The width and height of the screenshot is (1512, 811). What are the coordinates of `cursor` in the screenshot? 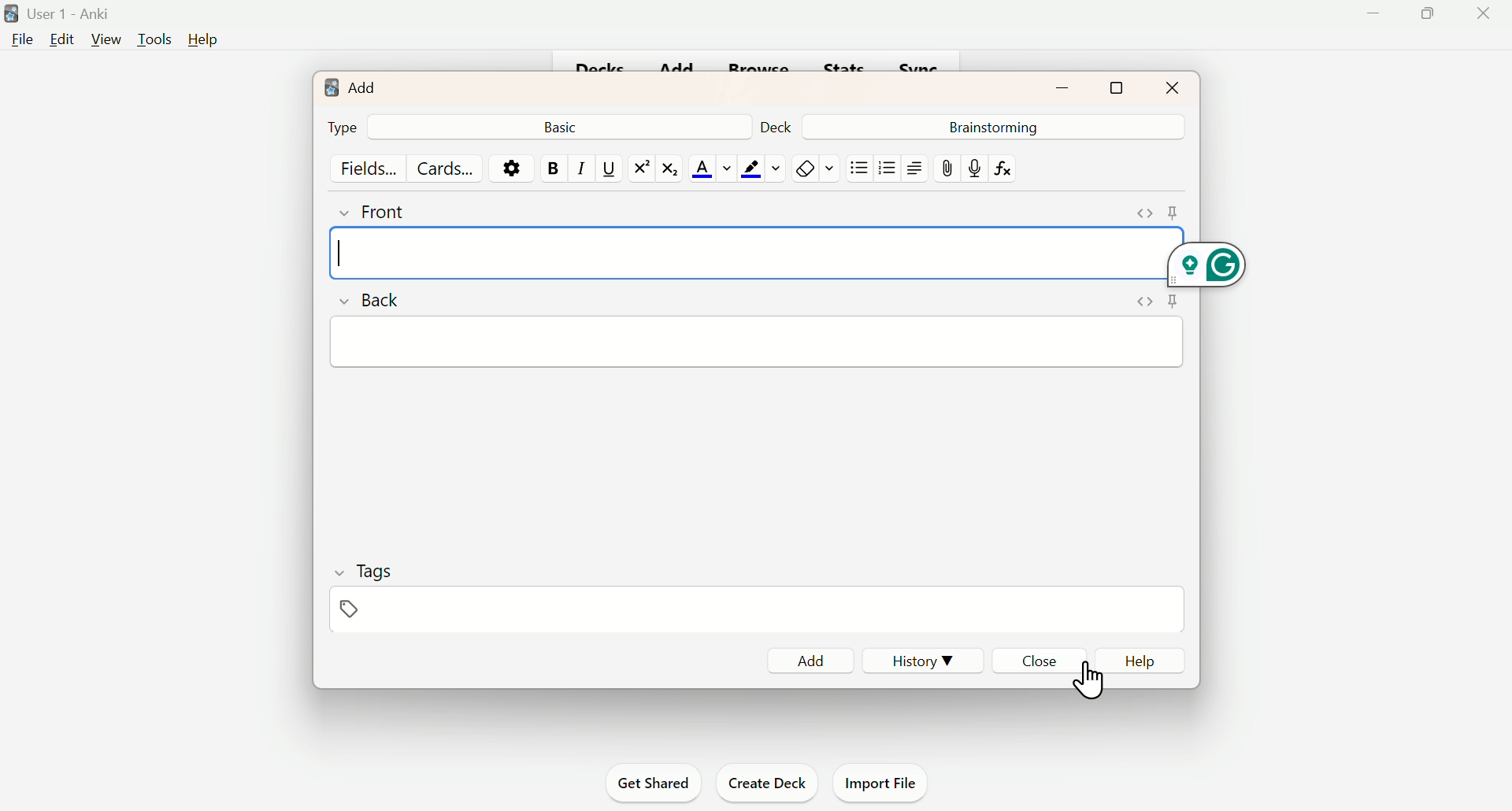 It's located at (339, 251).